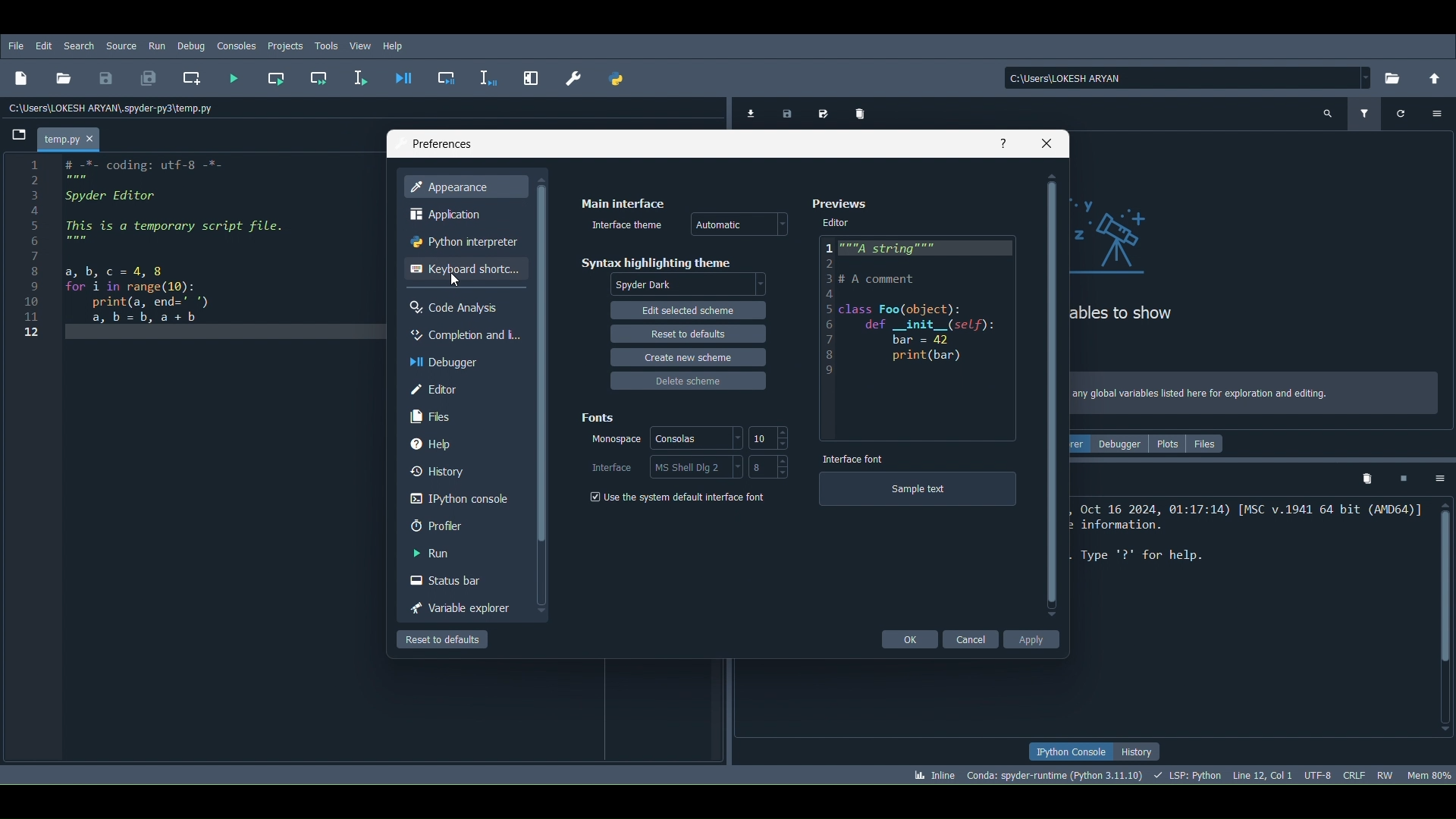 The image size is (1456, 819). Describe the element at coordinates (458, 470) in the screenshot. I see `History` at that location.